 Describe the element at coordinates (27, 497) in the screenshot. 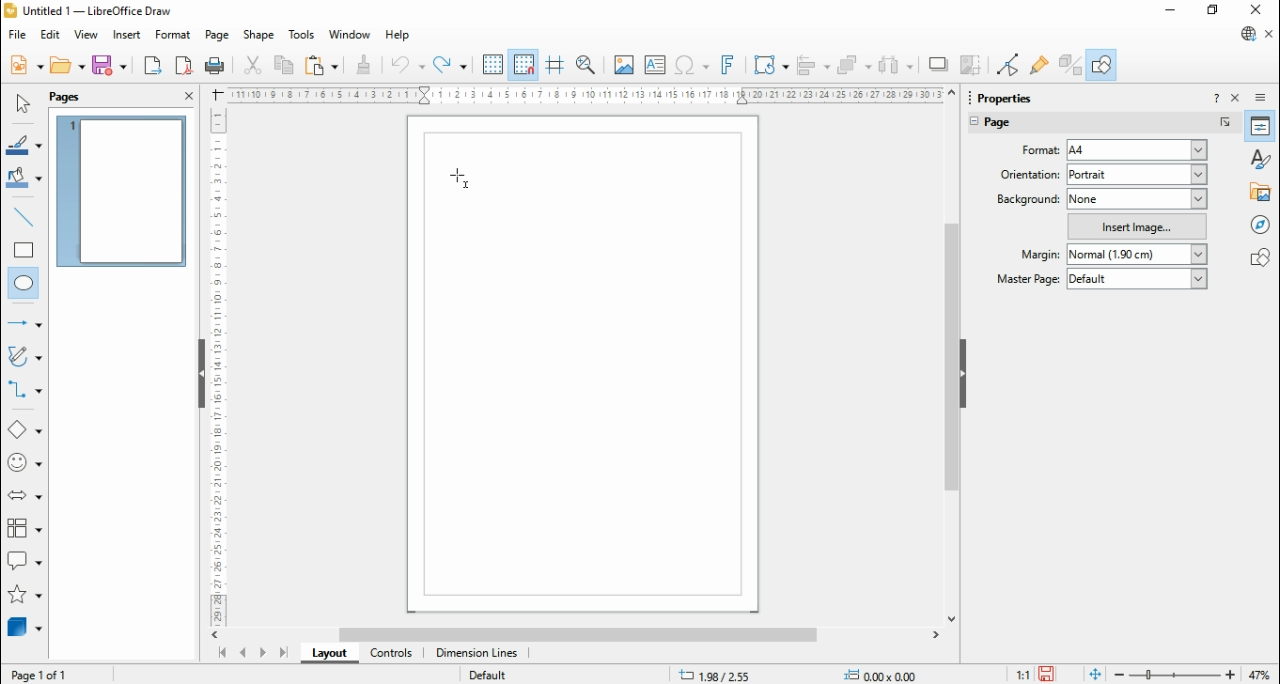

I see `block arrows` at that location.